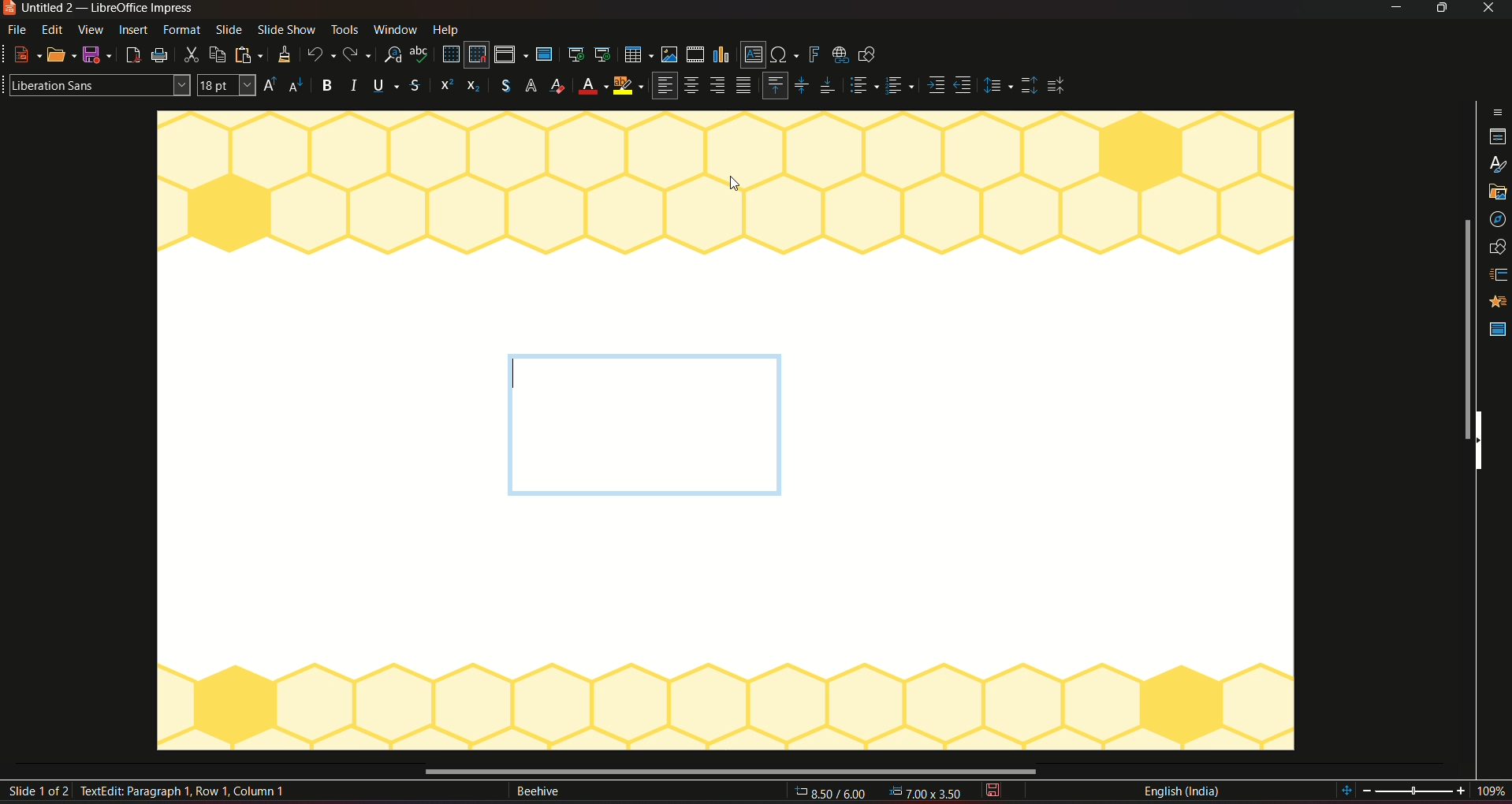  Describe the element at coordinates (511, 55) in the screenshot. I see `display views` at that location.